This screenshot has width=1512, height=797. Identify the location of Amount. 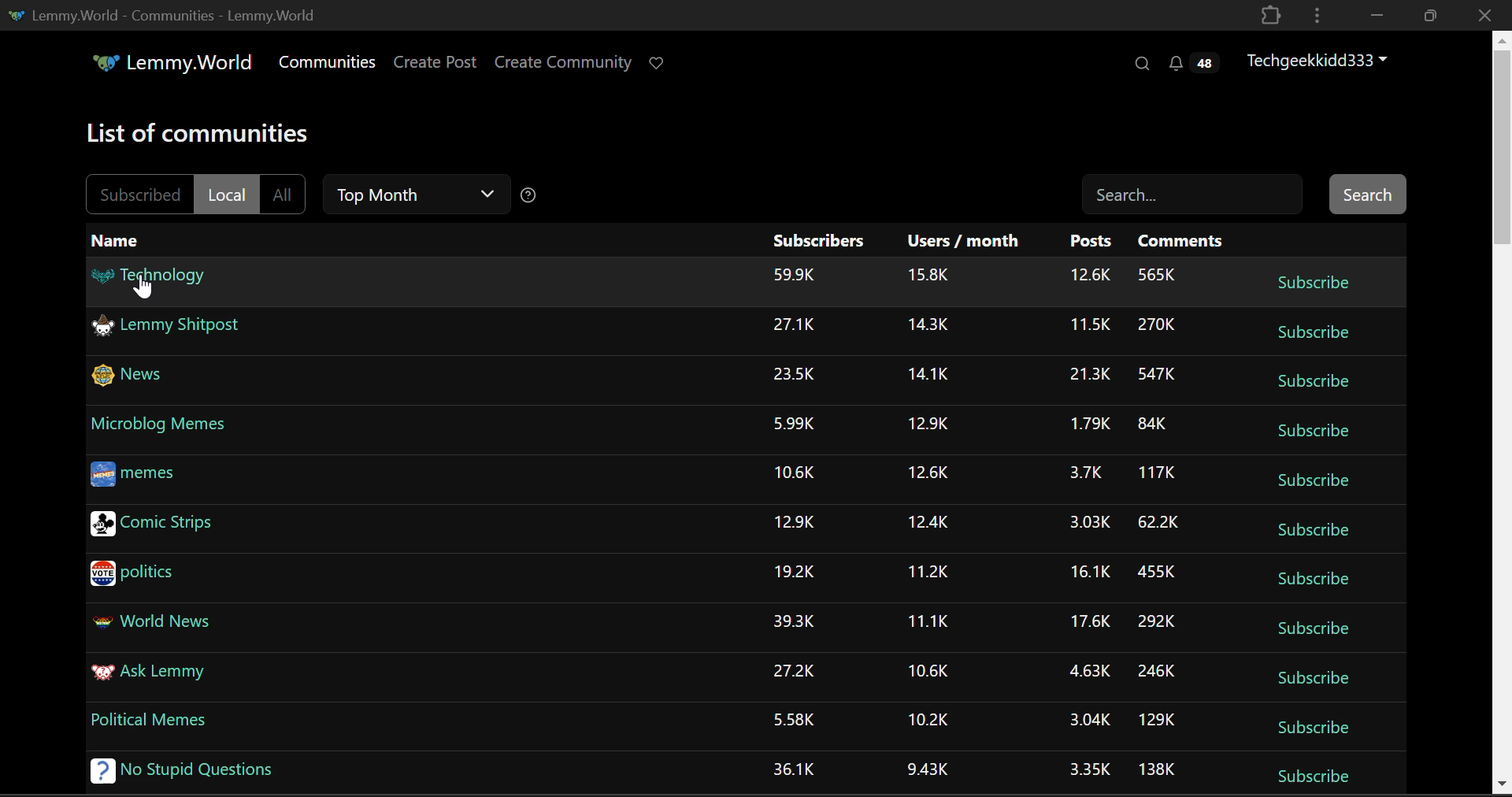
(1085, 473).